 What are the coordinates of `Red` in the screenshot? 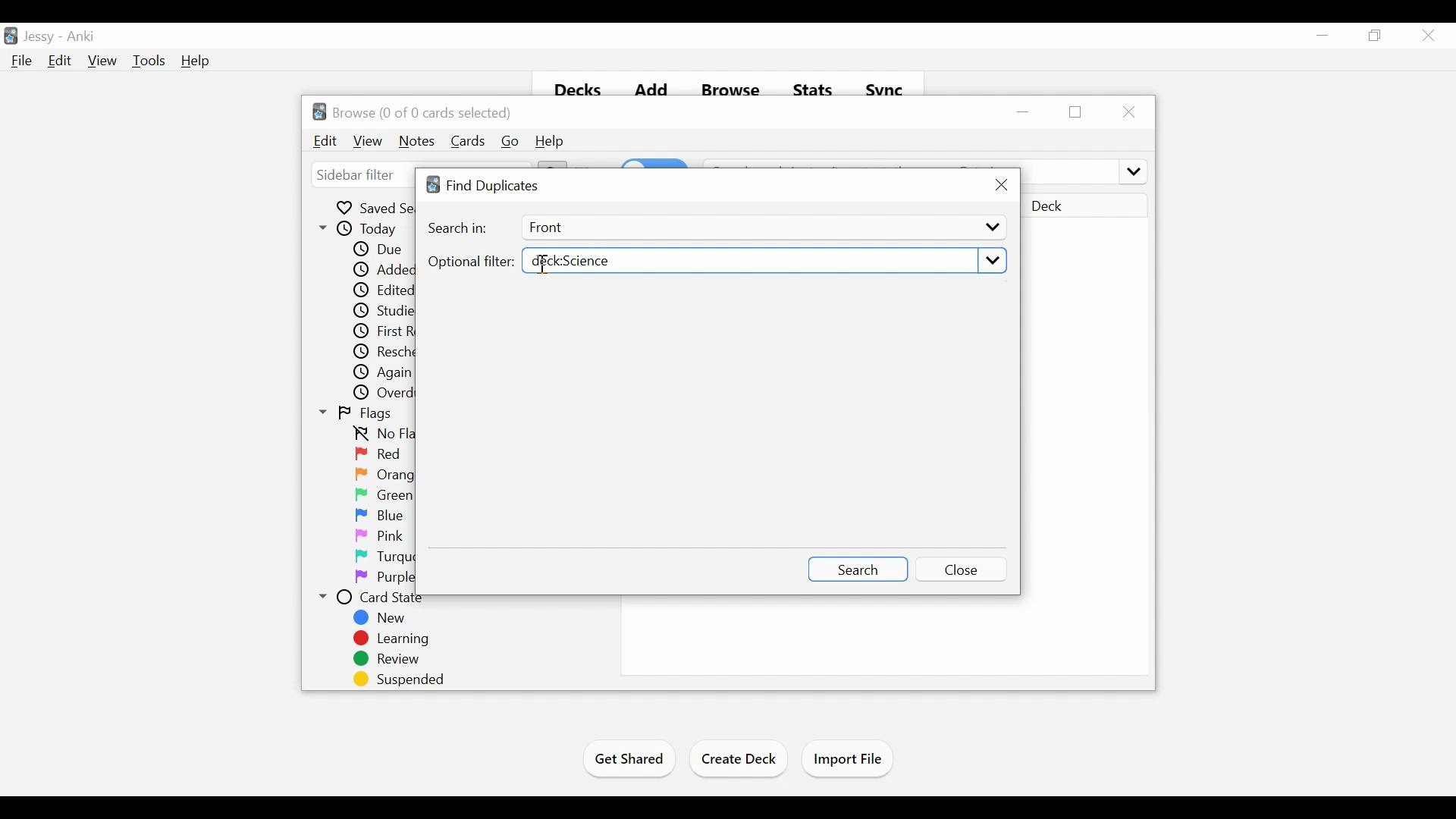 It's located at (380, 455).